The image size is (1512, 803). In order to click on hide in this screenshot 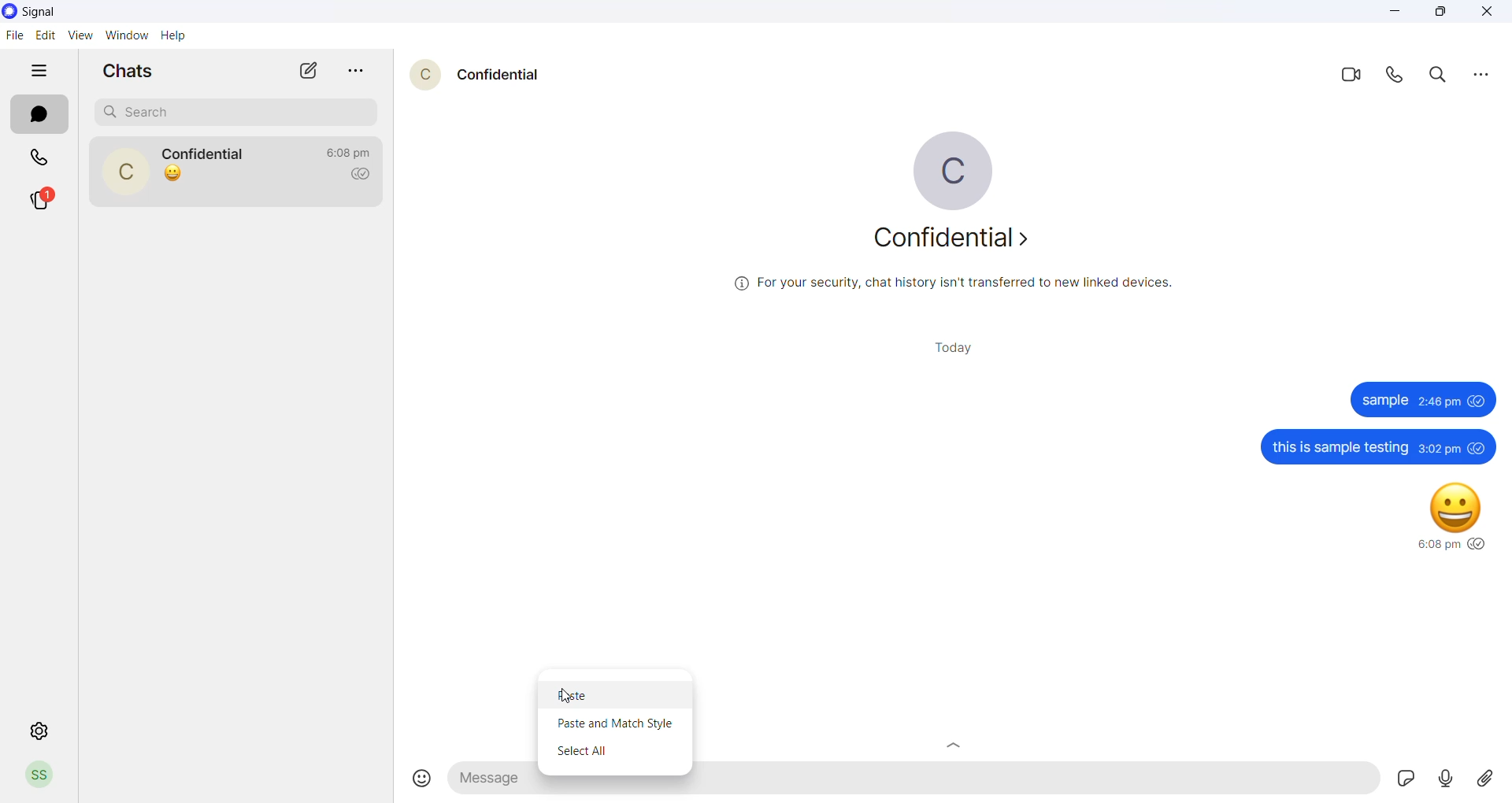, I will do `click(41, 71)`.